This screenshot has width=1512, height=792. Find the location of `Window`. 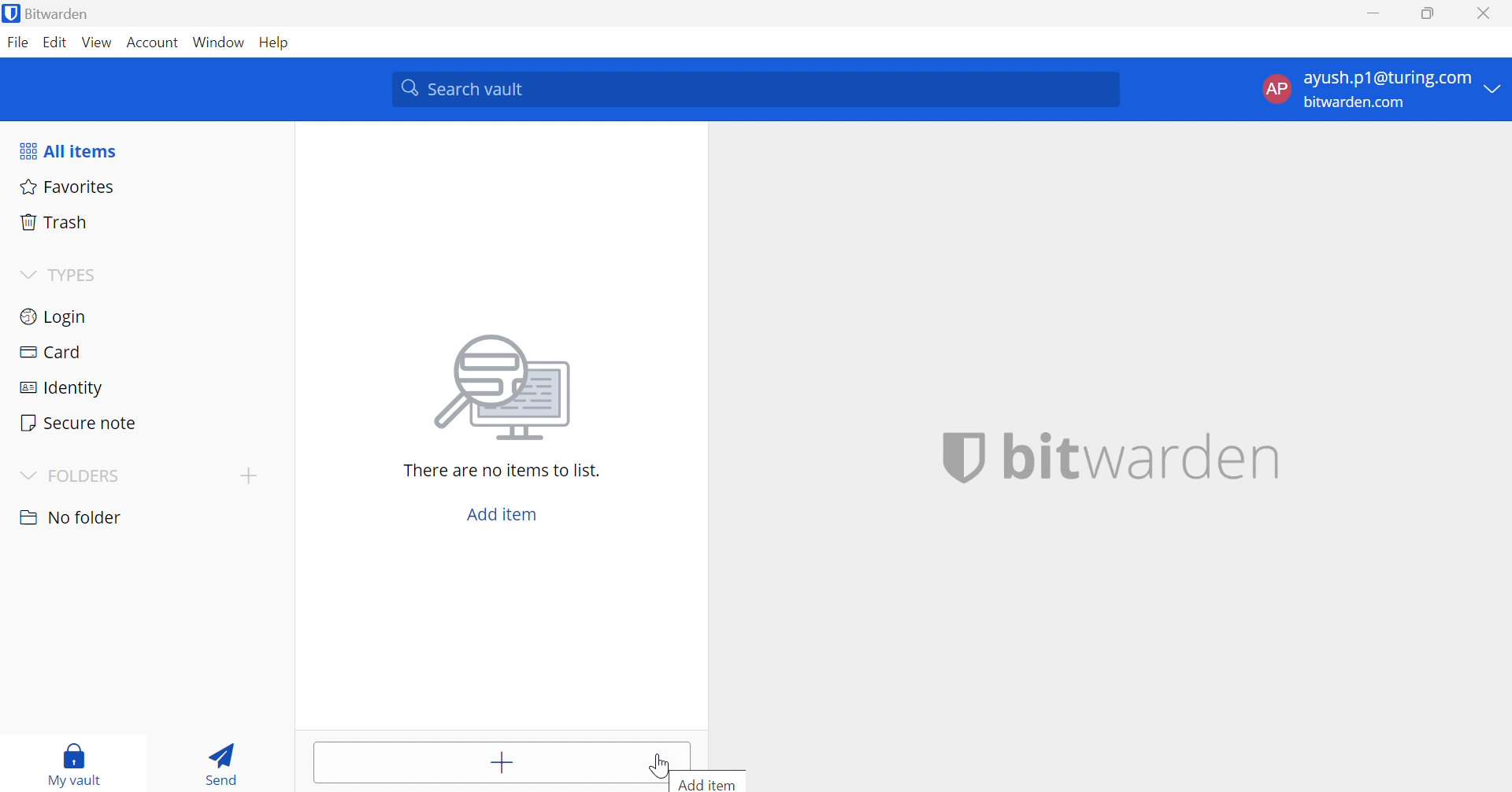

Window is located at coordinates (220, 42).